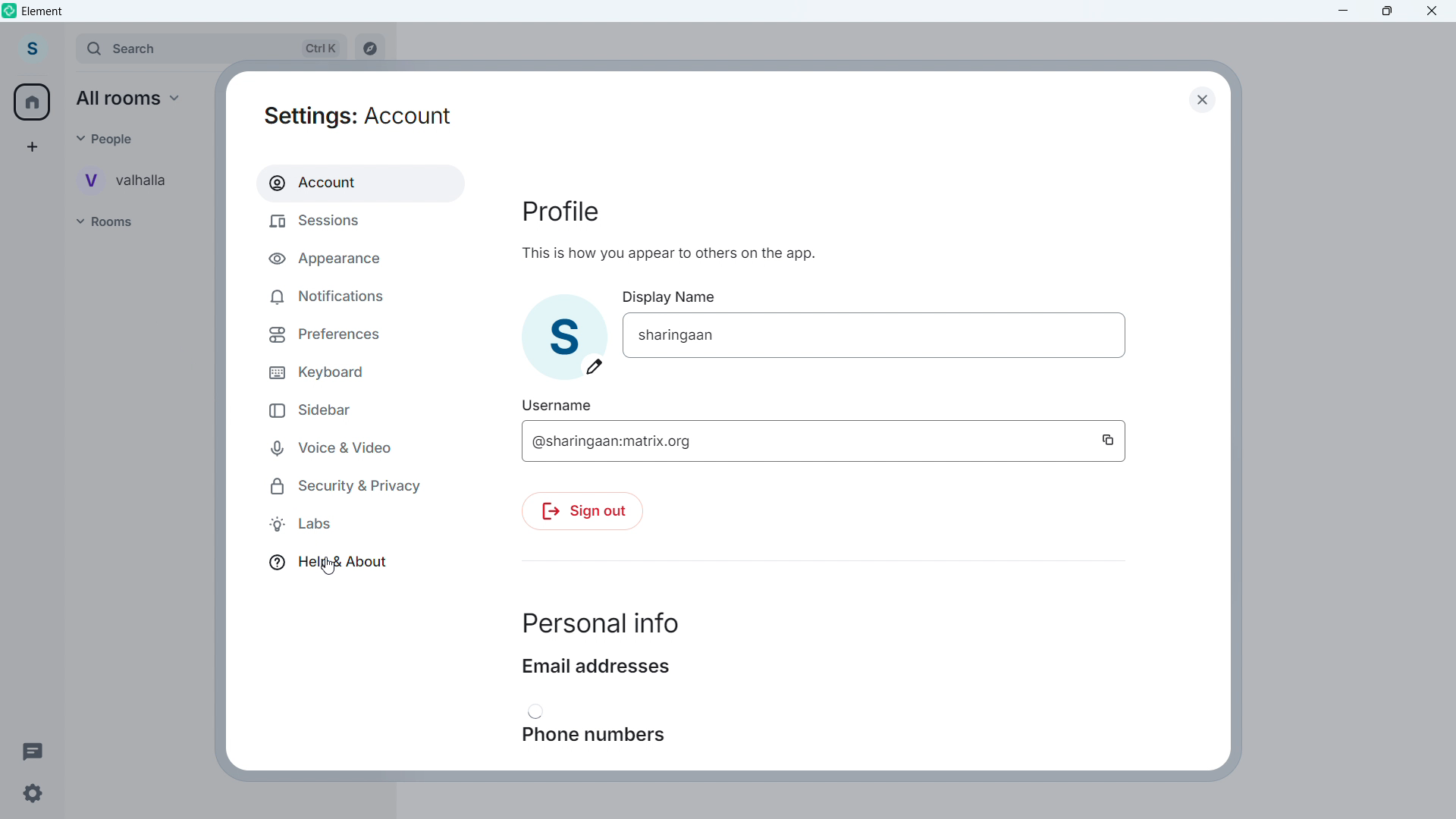 The image size is (1456, 819). I want to click on Appearance , so click(346, 255).